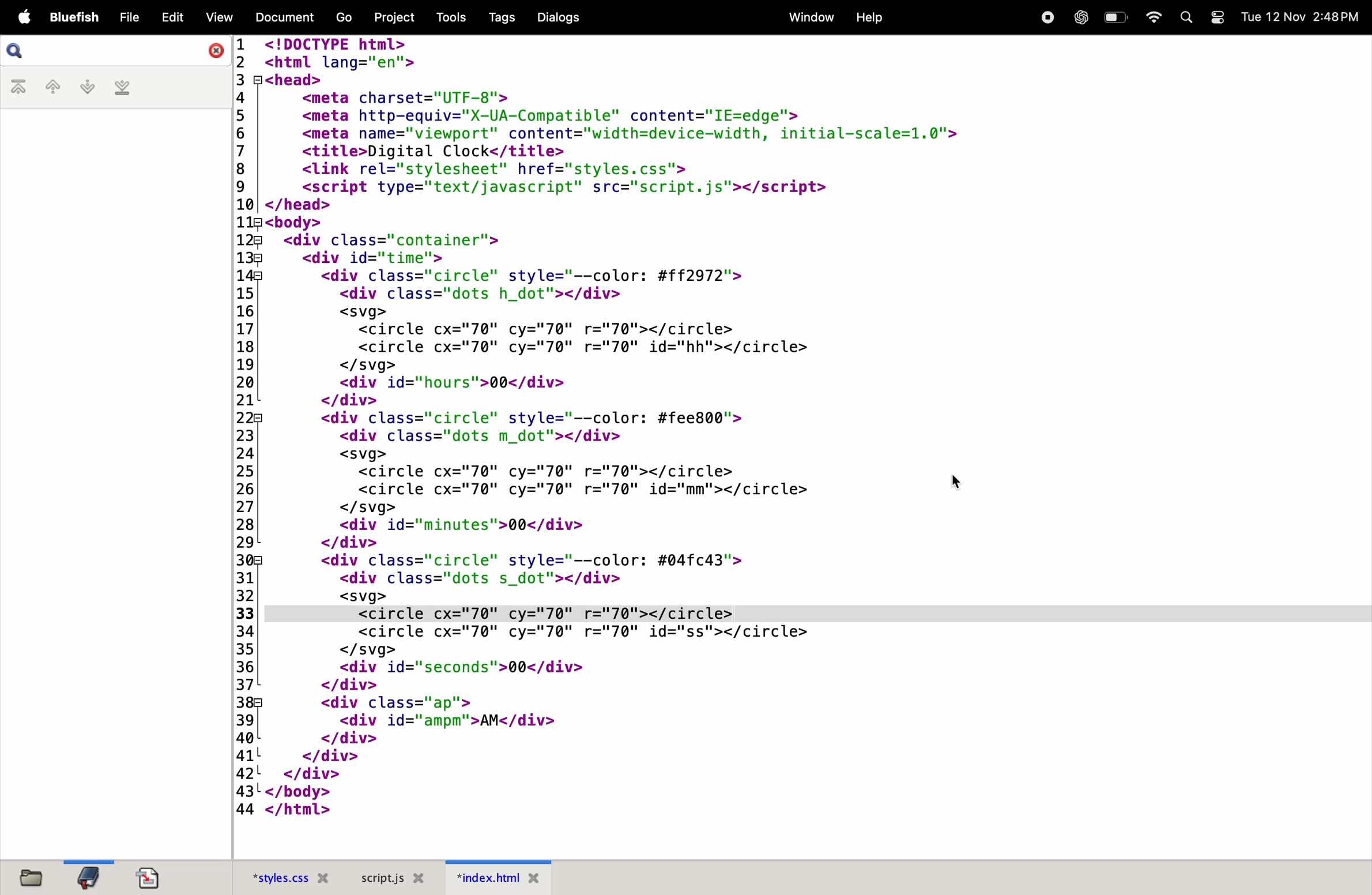  What do you see at coordinates (959, 482) in the screenshot?
I see `cursor` at bounding box center [959, 482].